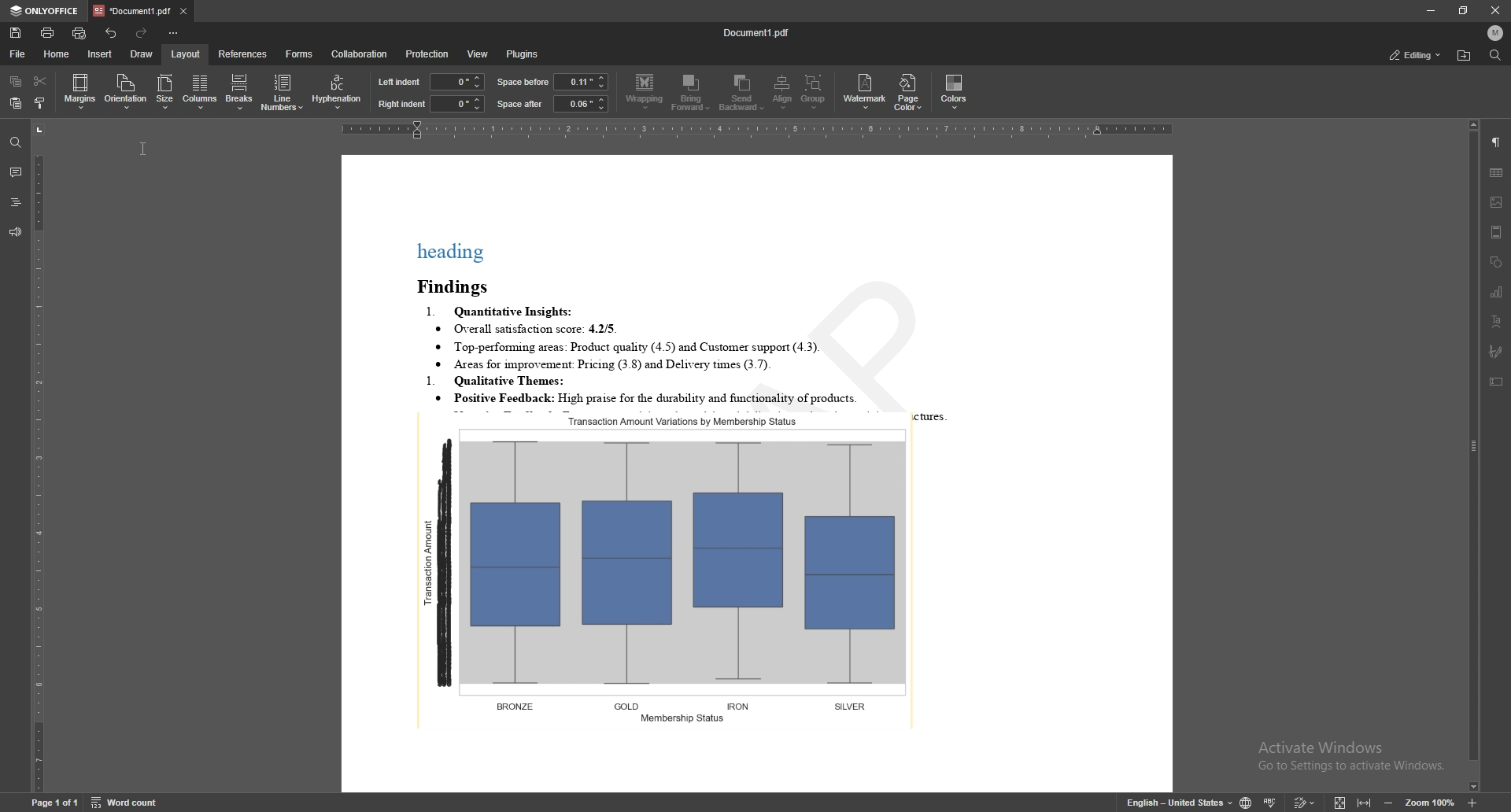  Describe the element at coordinates (401, 105) in the screenshot. I see `right indent` at that location.